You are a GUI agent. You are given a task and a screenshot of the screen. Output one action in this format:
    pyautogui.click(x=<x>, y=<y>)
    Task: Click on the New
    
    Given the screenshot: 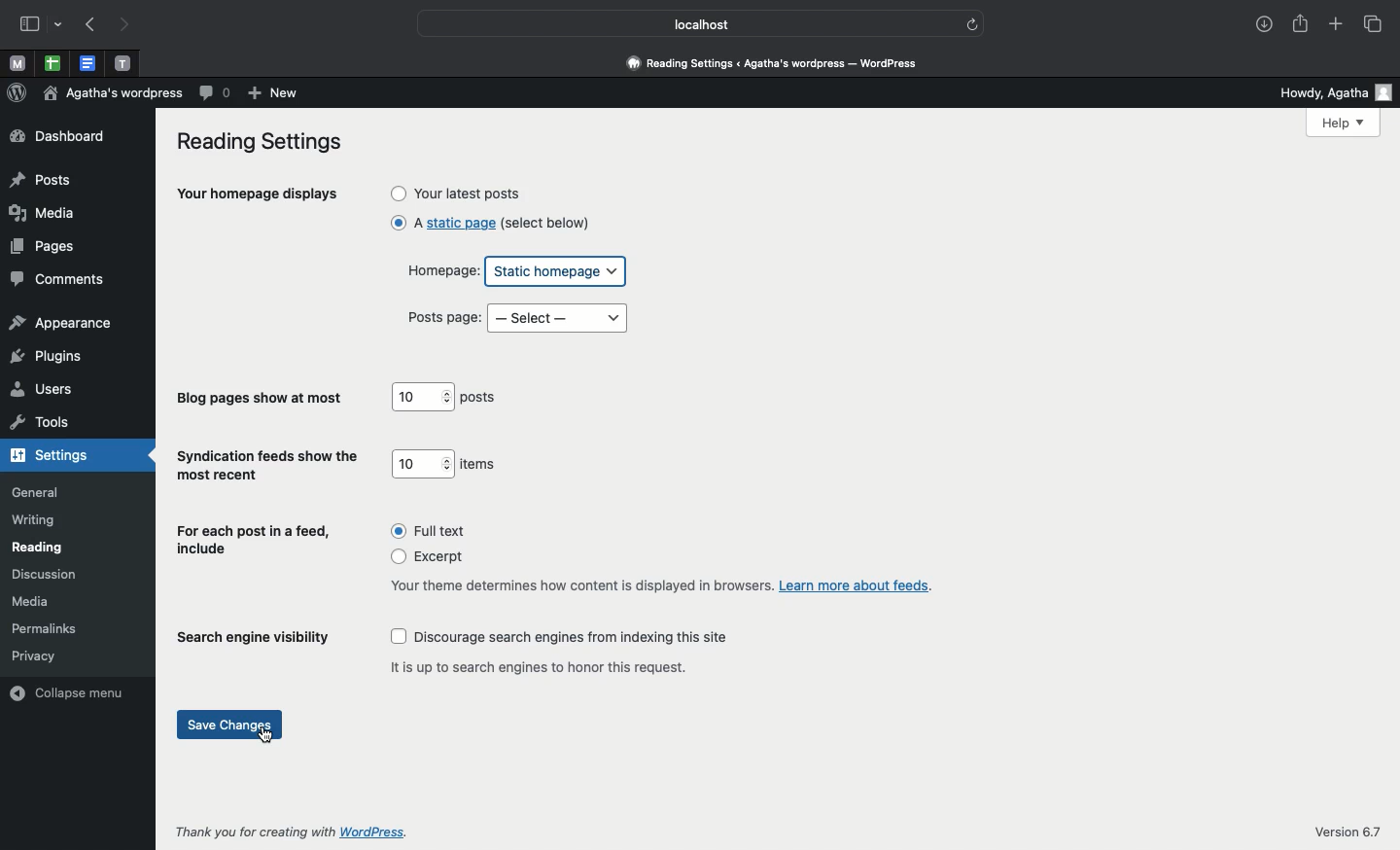 What is the action you would take?
    pyautogui.click(x=276, y=94)
    